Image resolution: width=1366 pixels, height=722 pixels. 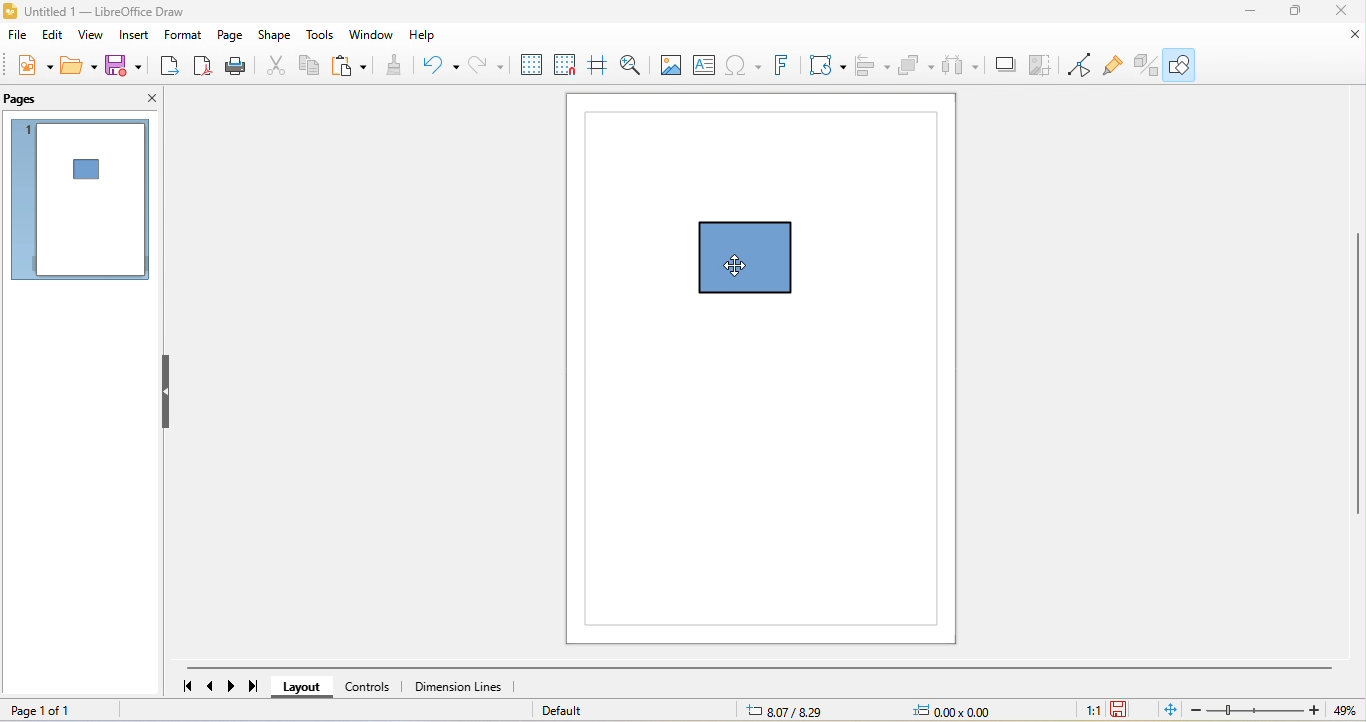 What do you see at coordinates (102, 13) in the screenshot?
I see `untitled 1- libre office draw` at bounding box center [102, 13].